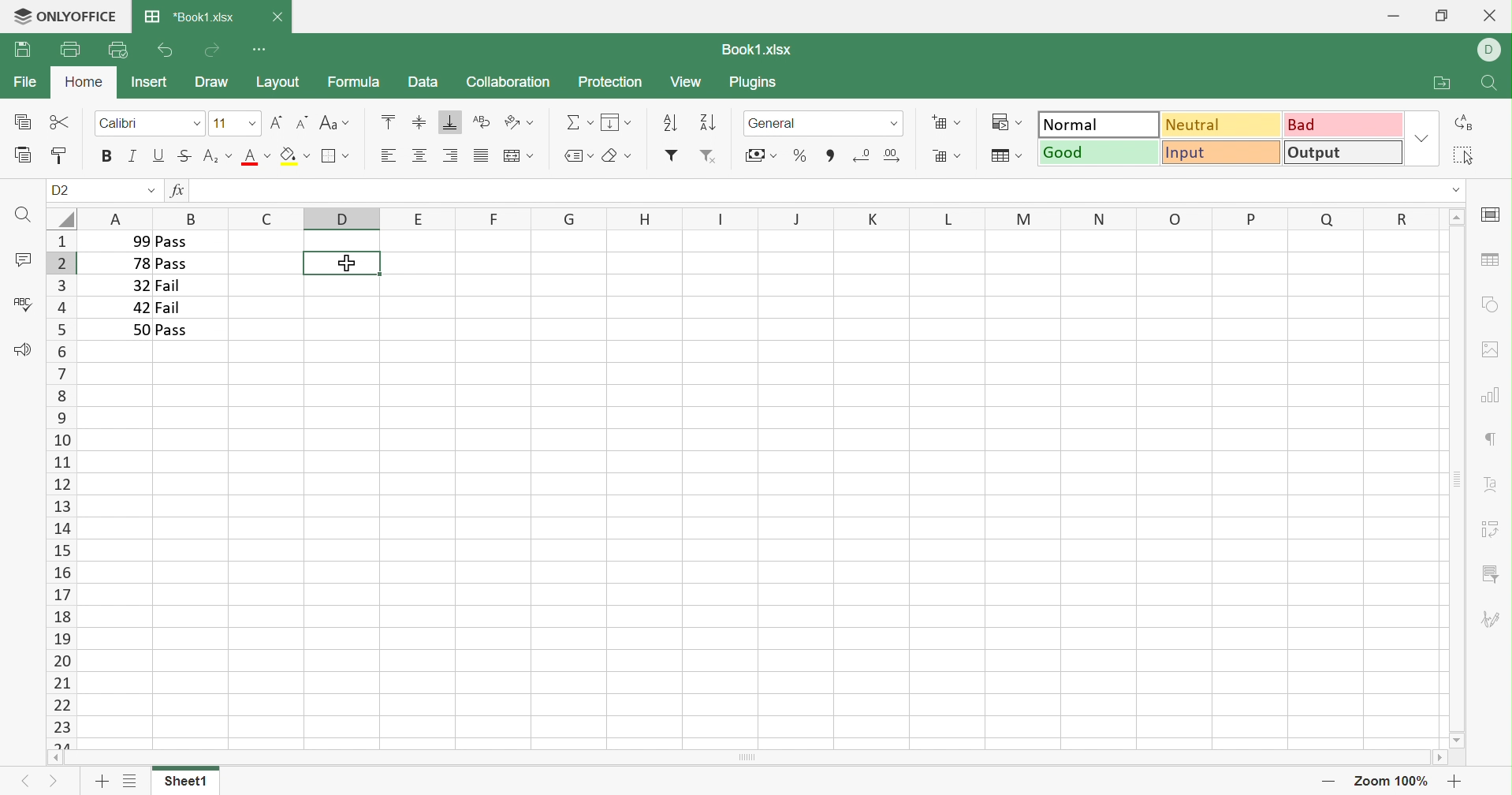 The image size is (1512, 795). I want to click on Customize Quick Access Toolbar, so click(262, 50).